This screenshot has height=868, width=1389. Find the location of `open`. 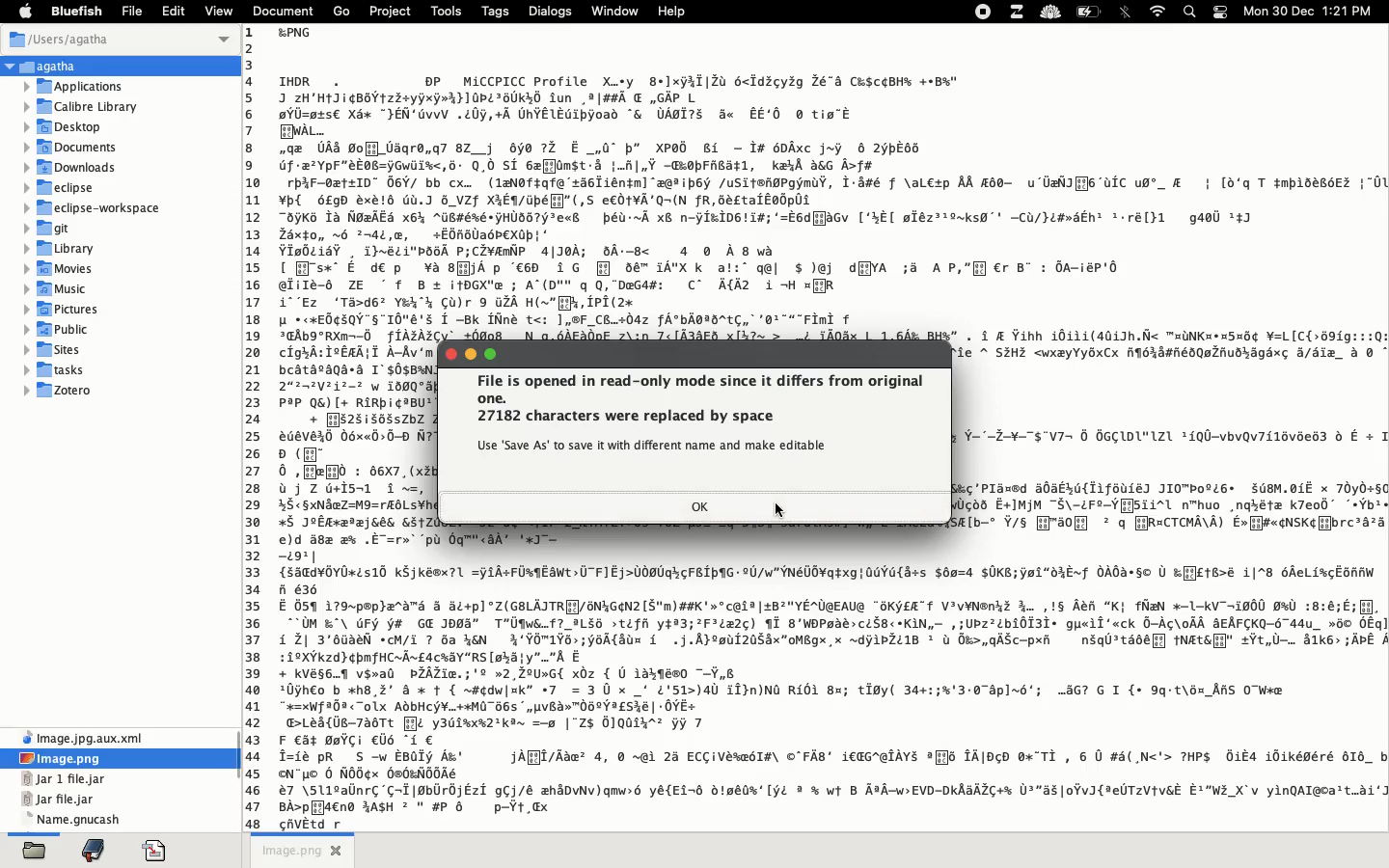

open is located at coordinates (35, 850).